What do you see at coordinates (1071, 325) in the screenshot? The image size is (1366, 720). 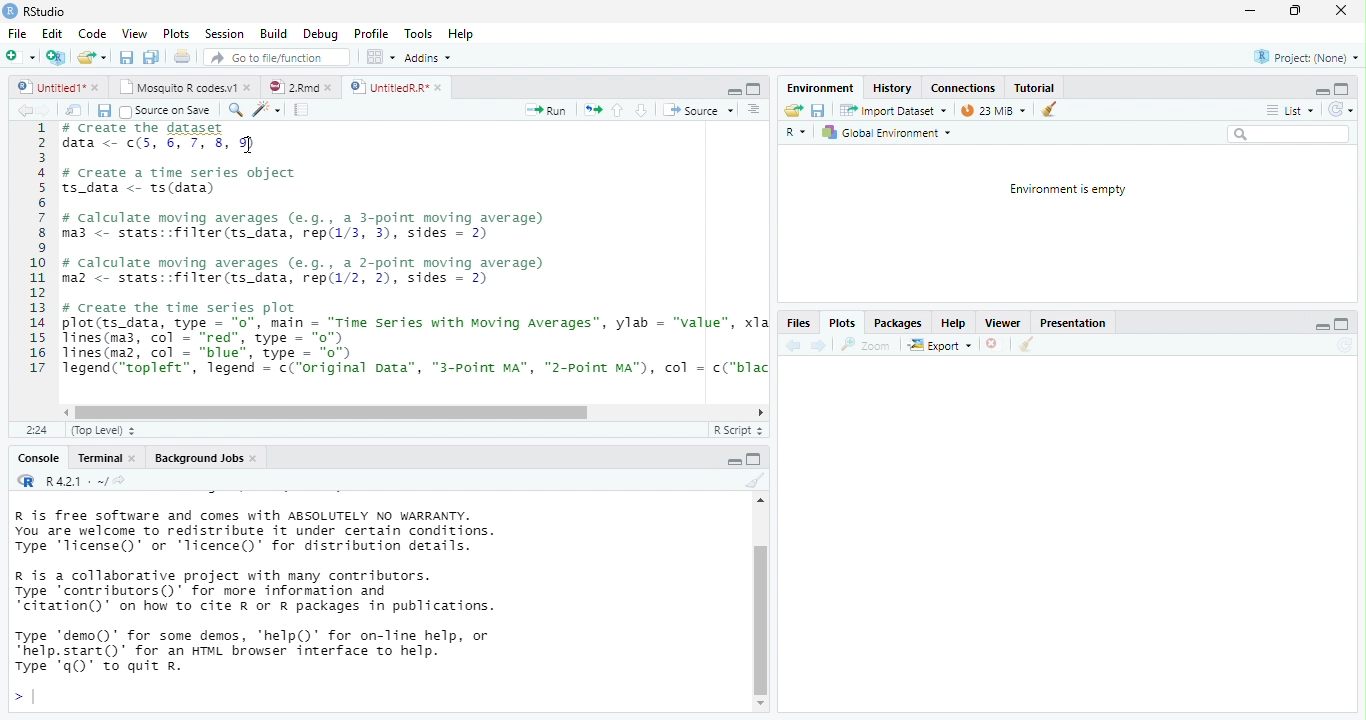 I see `Presentation` at bounding box center [1071, 325].